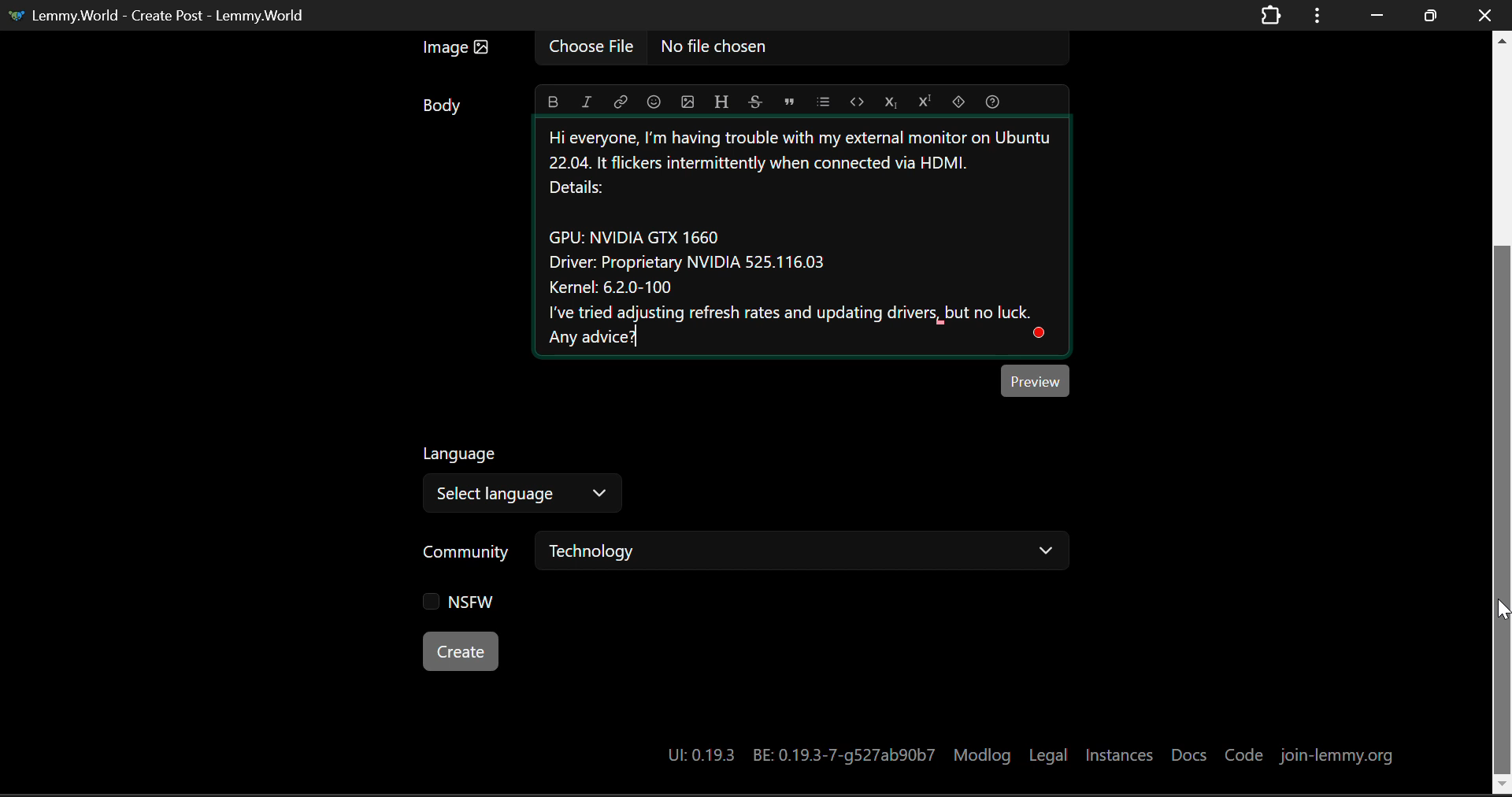 The height and width of the screenshot is (797, 1512). I want to click on Restore Down, so click(1373, 13).